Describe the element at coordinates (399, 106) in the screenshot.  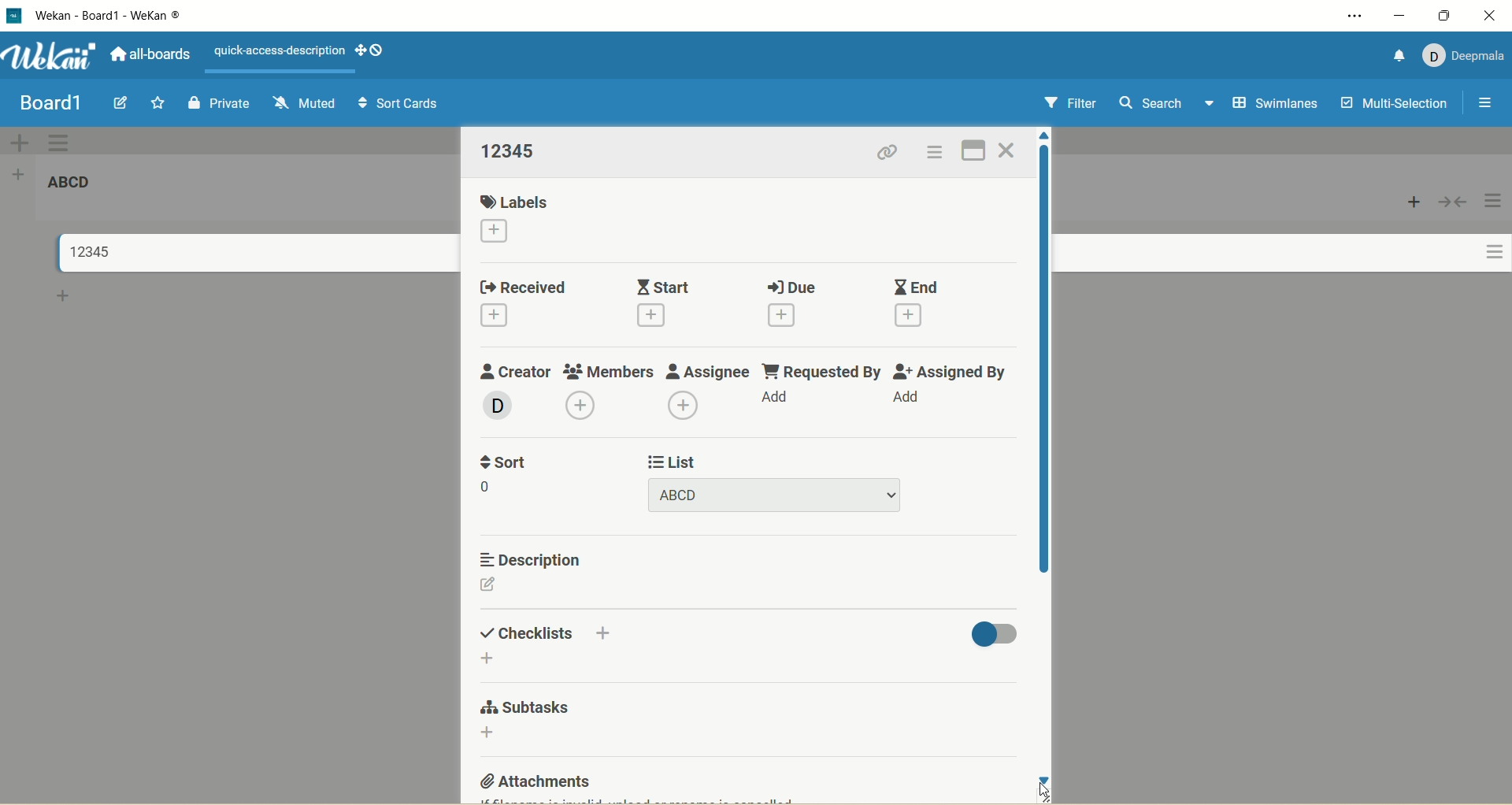
I see `sort cards` at that location.